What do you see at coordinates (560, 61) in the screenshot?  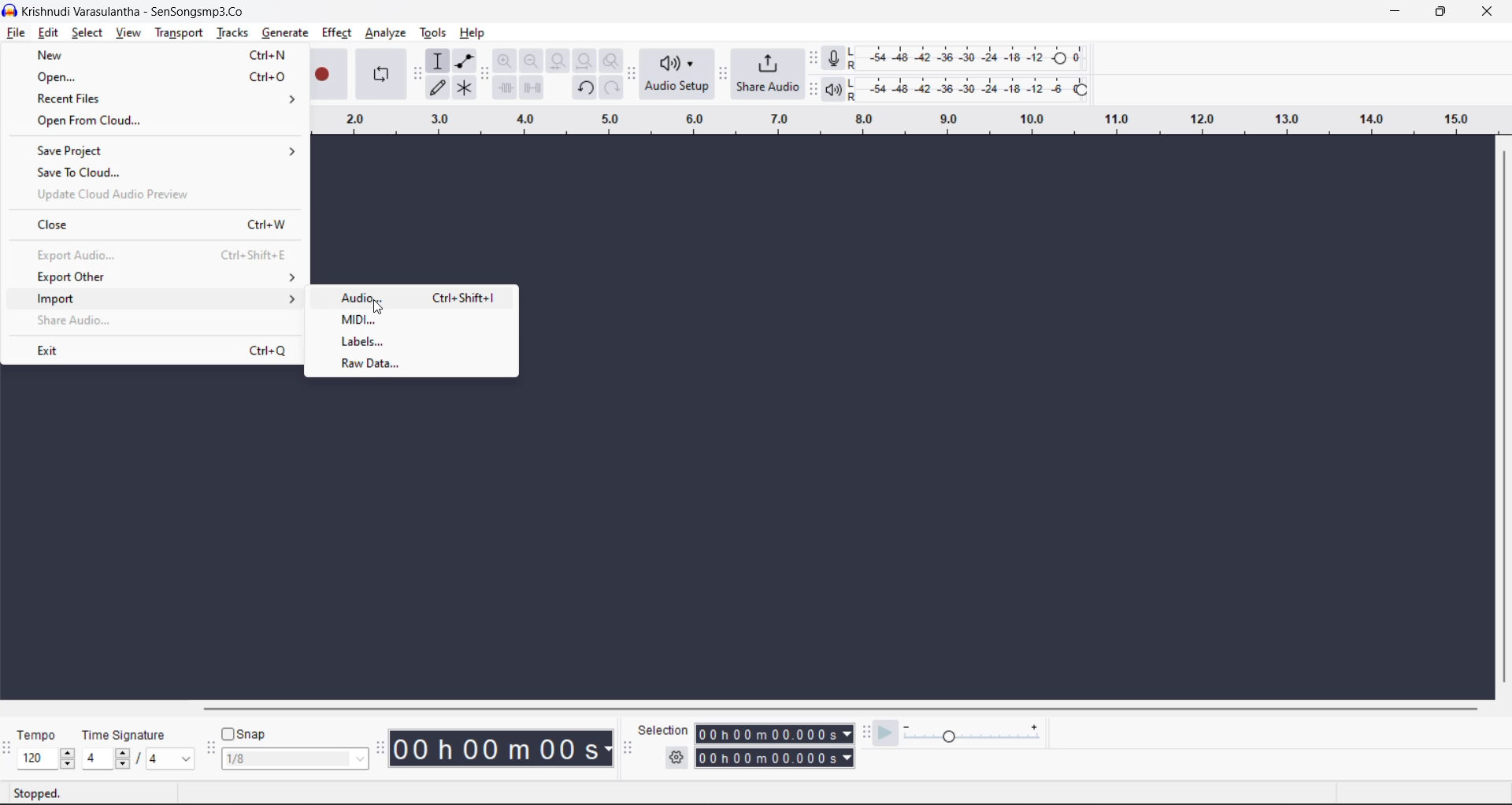 I see `fit selection to width` at bounding box center [560, 61].